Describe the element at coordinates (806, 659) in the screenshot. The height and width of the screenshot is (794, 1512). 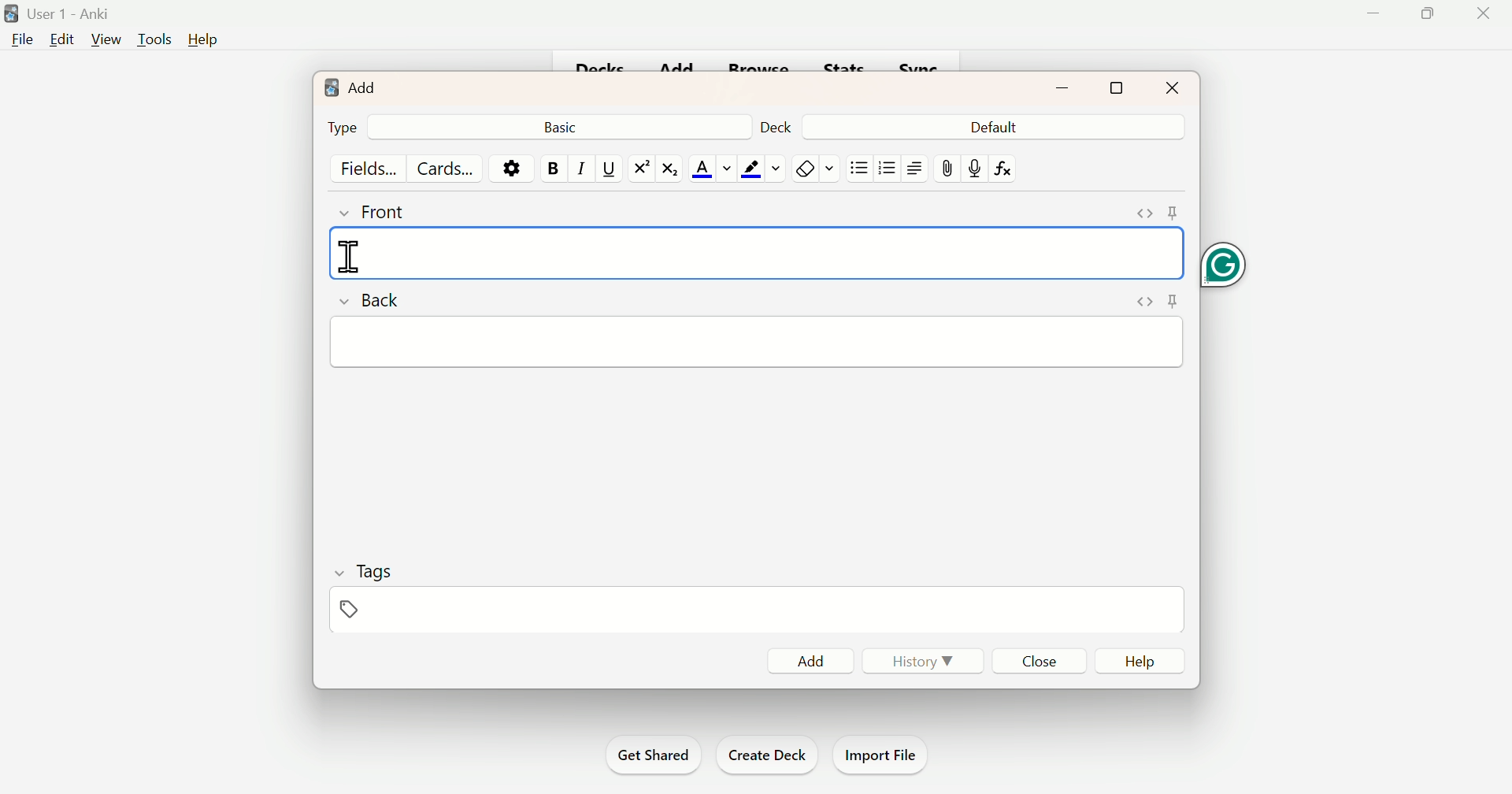
I see `Add` at that location.